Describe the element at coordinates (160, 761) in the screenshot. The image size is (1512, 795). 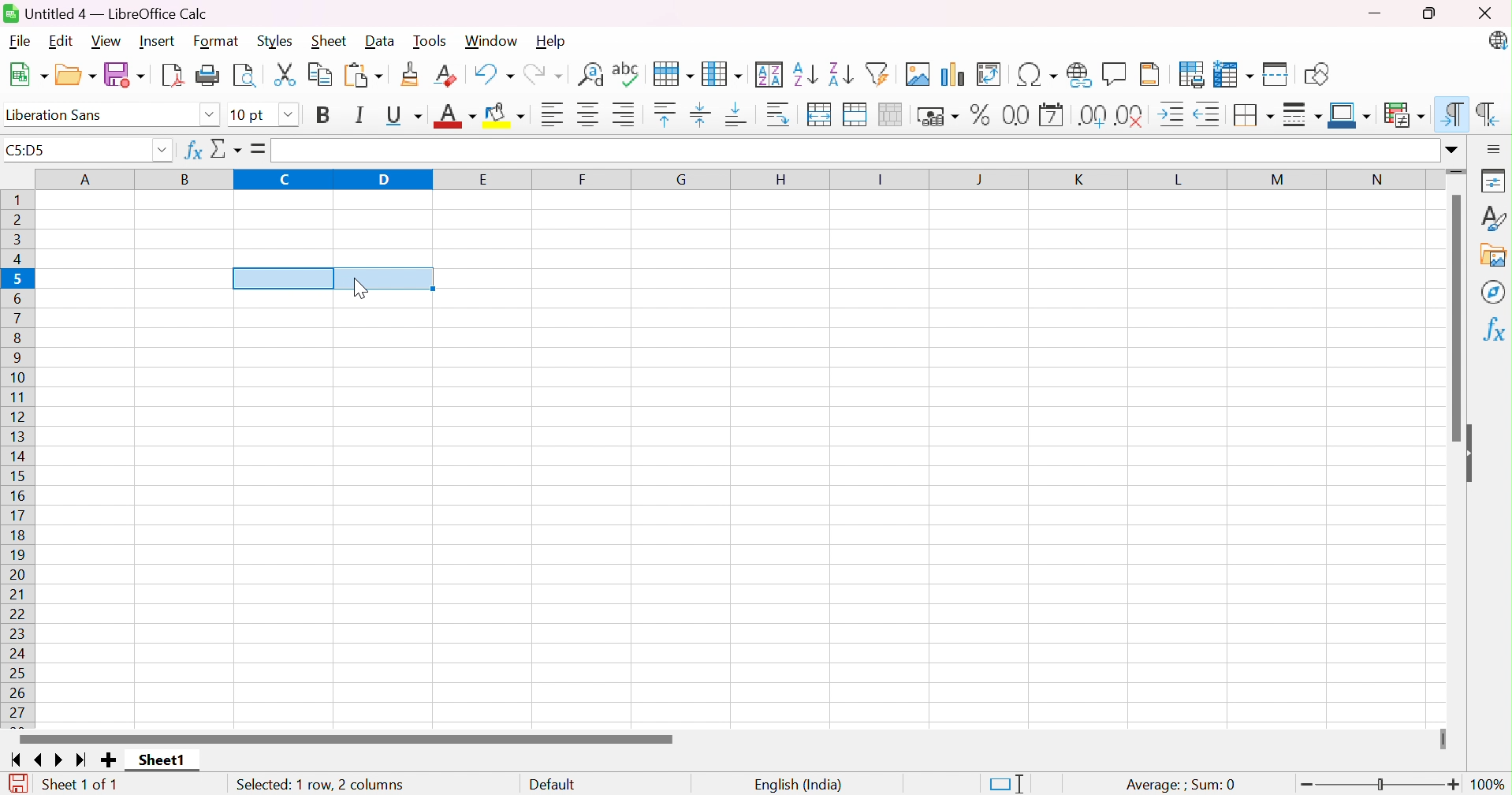
I see `Sheet1` at that location.